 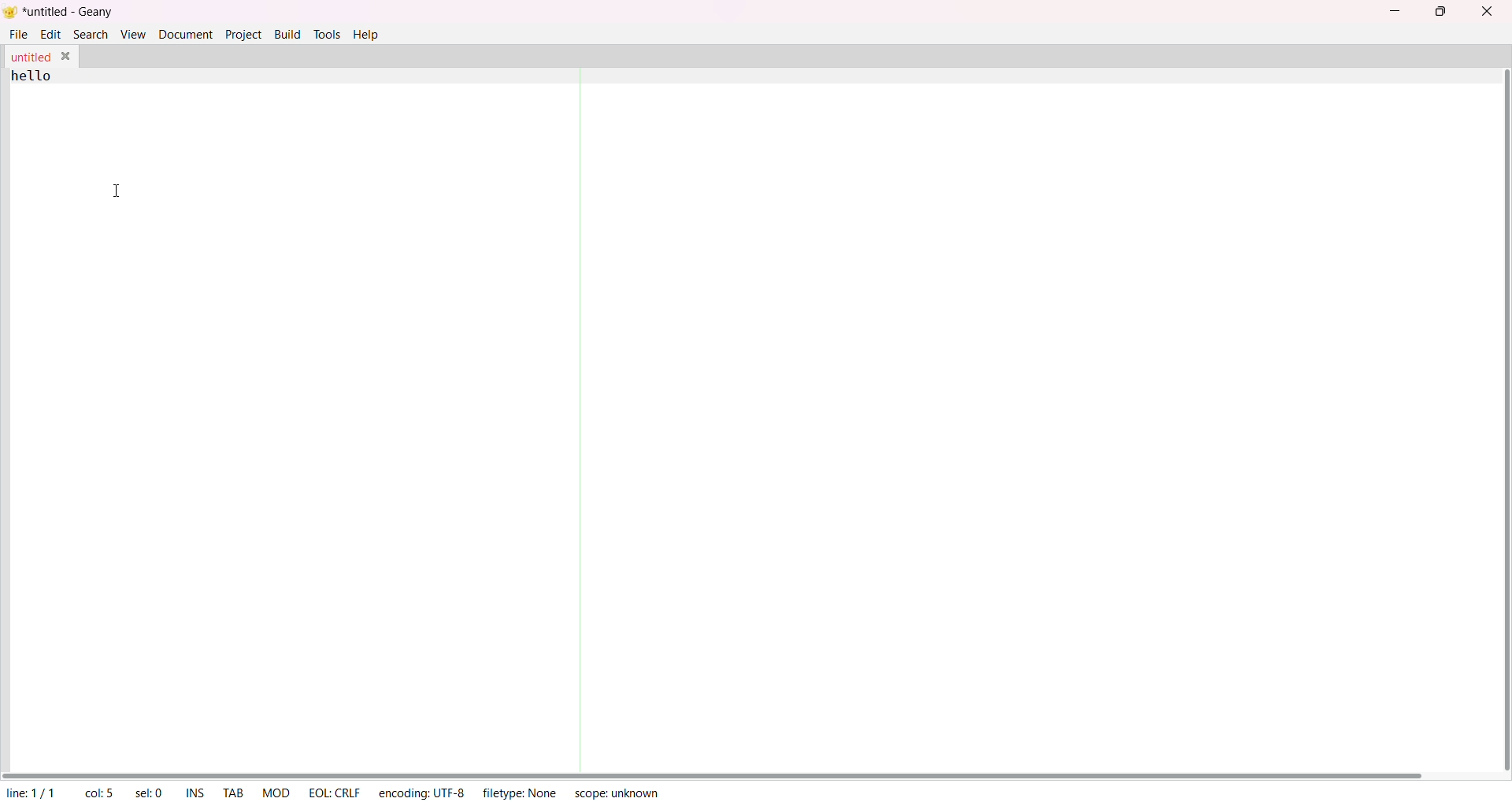 What do you see at coordinates (70, 13) in the screenshot?
I see `untitled - geany` at bounding box center [70, 13].